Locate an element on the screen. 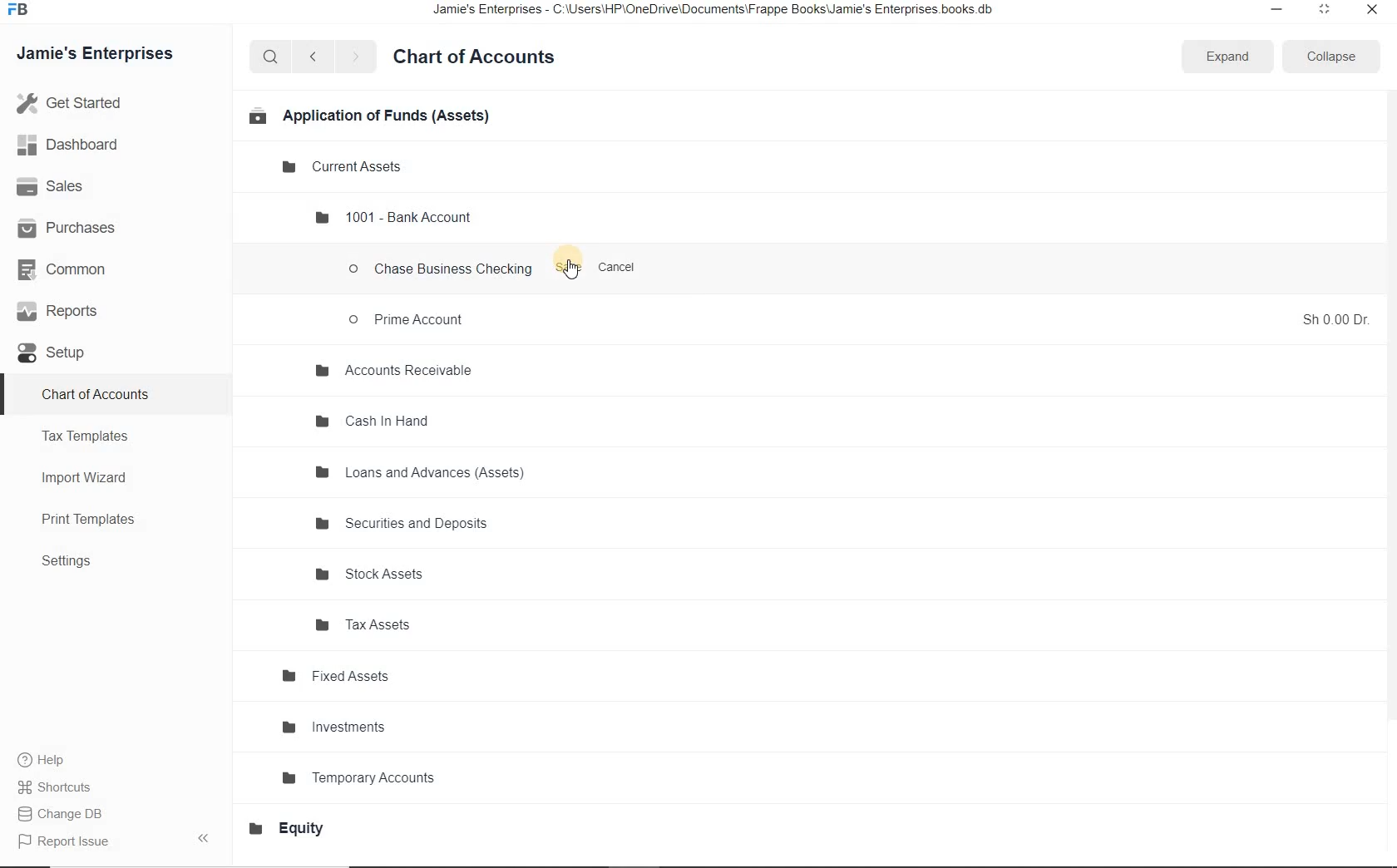 The image size is (1397, 868). Save is located at coordinates (570, 269).